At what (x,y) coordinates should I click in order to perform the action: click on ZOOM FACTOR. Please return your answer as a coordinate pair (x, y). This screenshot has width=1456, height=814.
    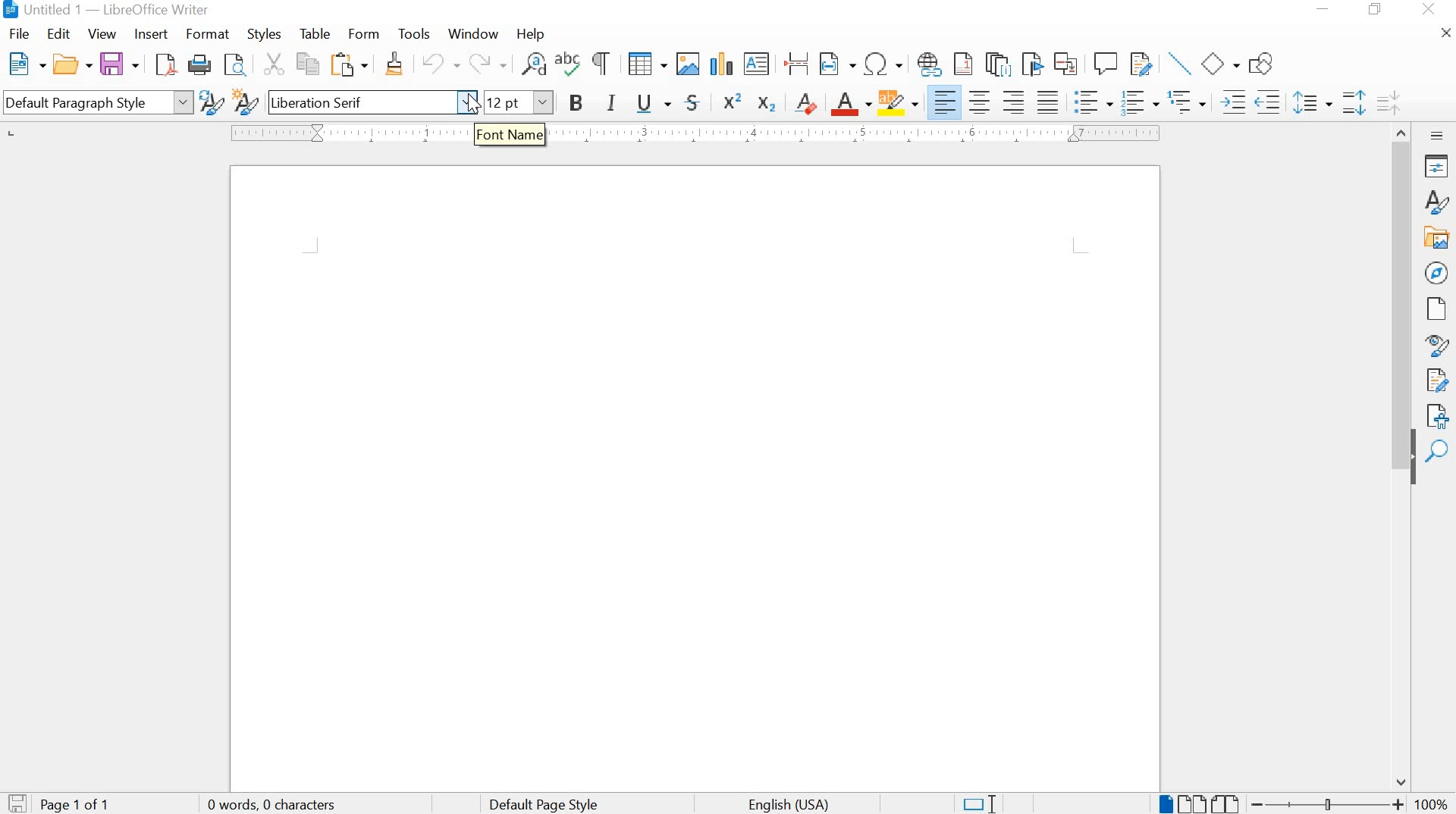
    Looking at the image, I should click on (1432, 803).